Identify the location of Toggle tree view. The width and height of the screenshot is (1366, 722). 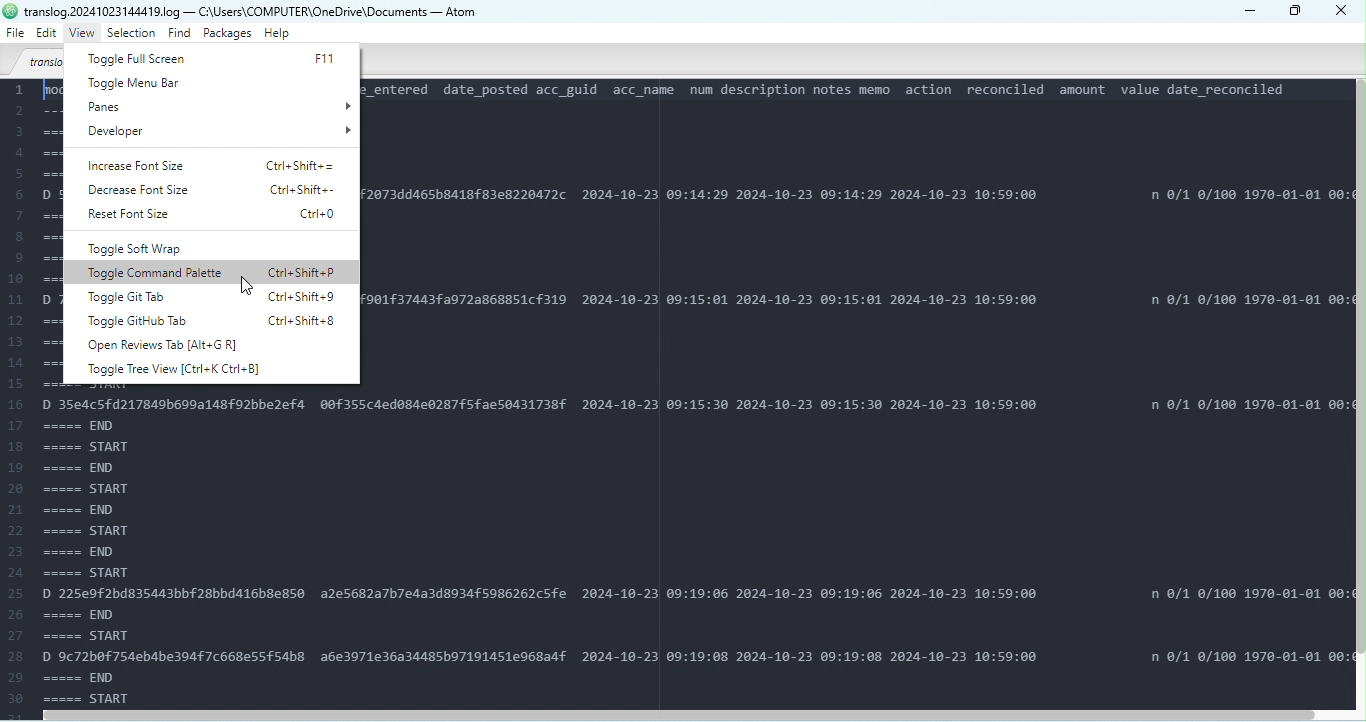
(180, 369).